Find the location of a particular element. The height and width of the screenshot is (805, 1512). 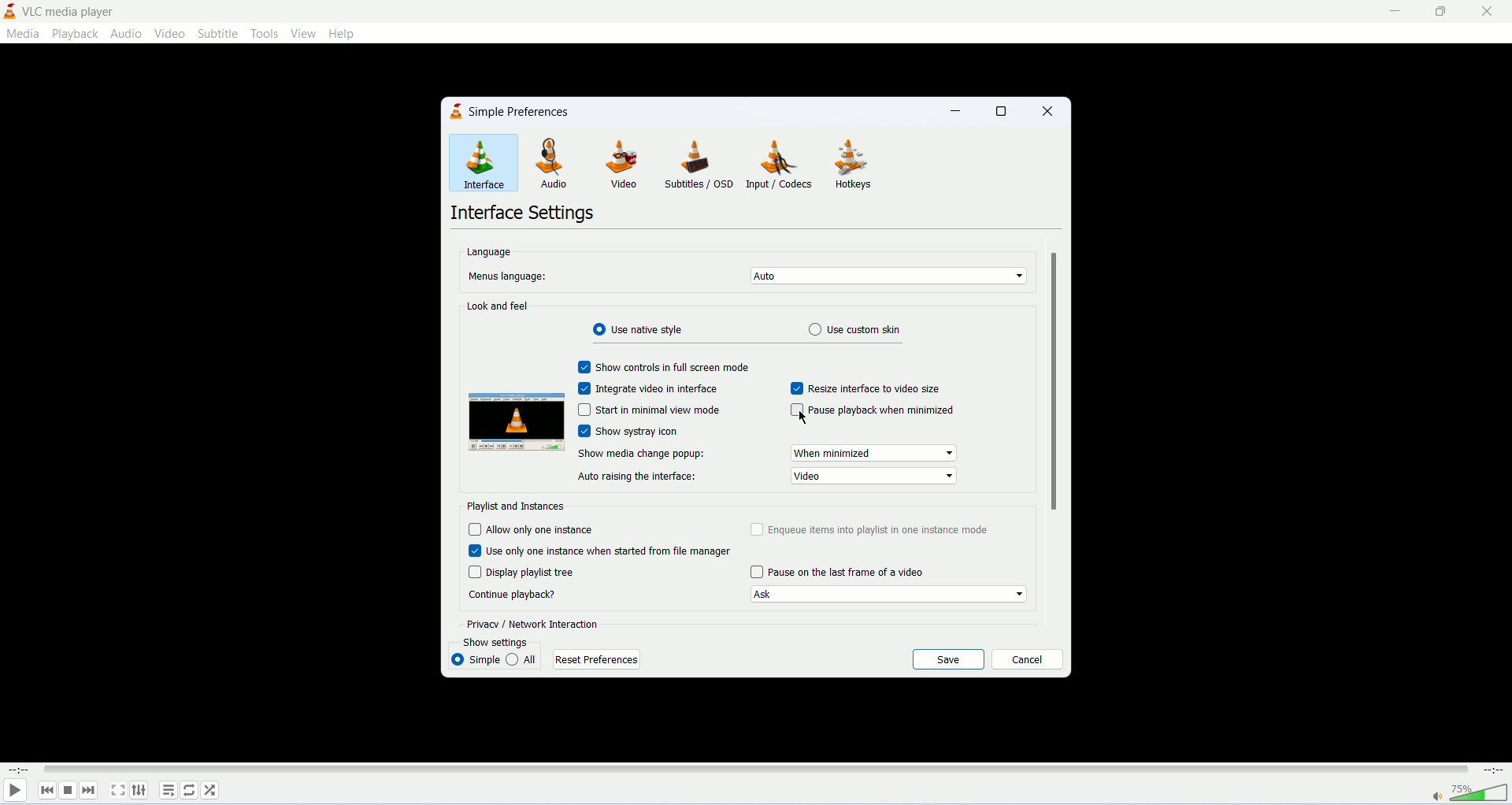

fullscreen is located at coordinates (117, 792).